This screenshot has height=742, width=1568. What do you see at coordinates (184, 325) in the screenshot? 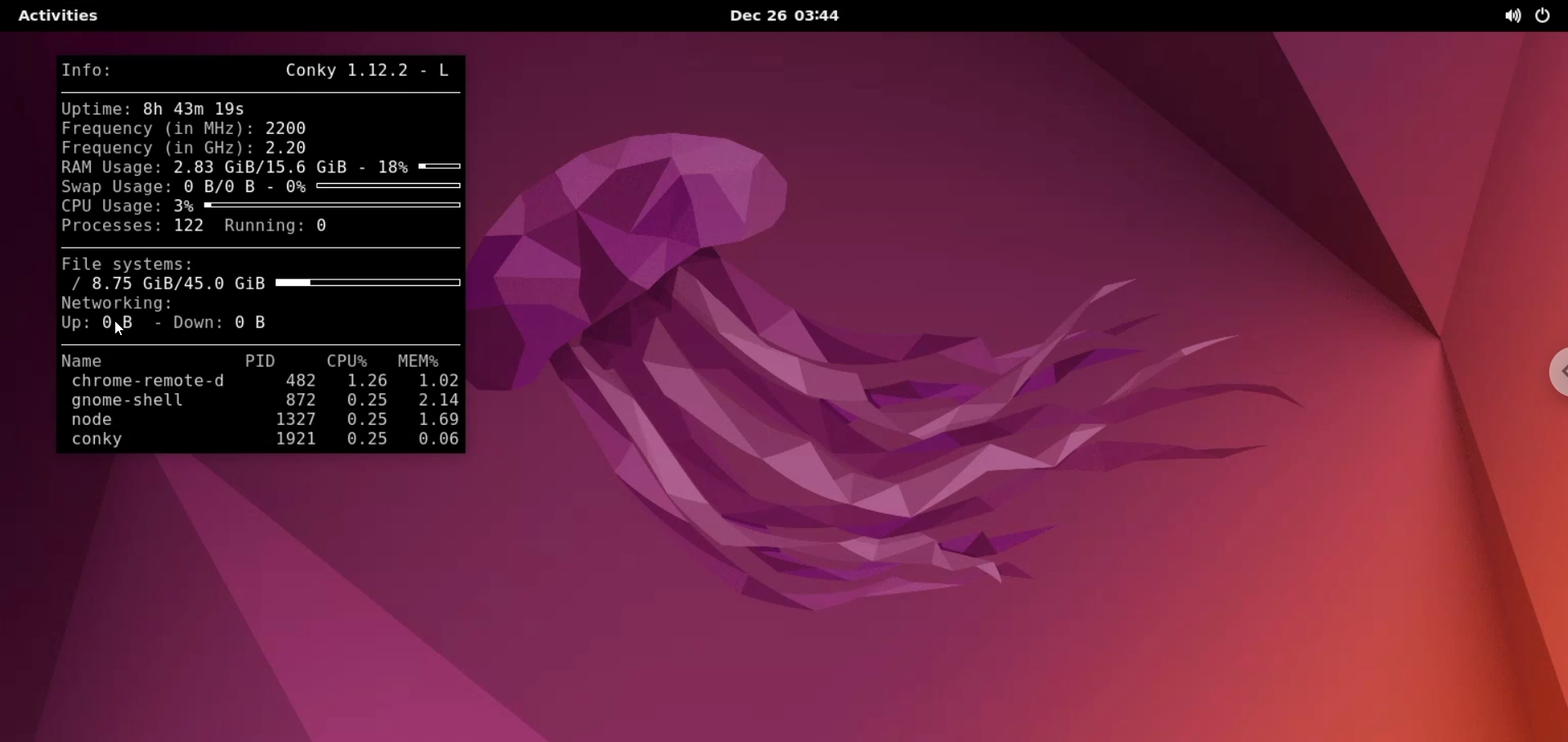
I see `Down:` at bounding box center [184, 325].